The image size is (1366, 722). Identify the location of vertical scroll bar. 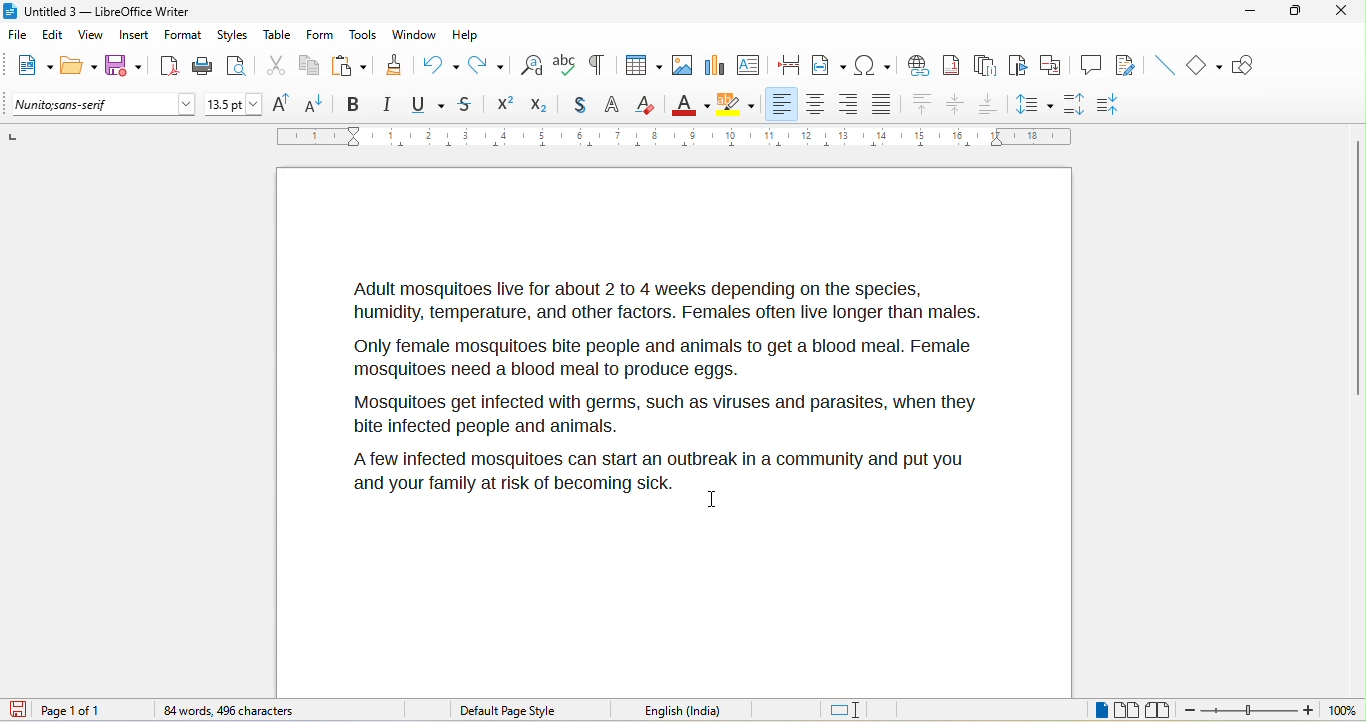
(1357, 270).